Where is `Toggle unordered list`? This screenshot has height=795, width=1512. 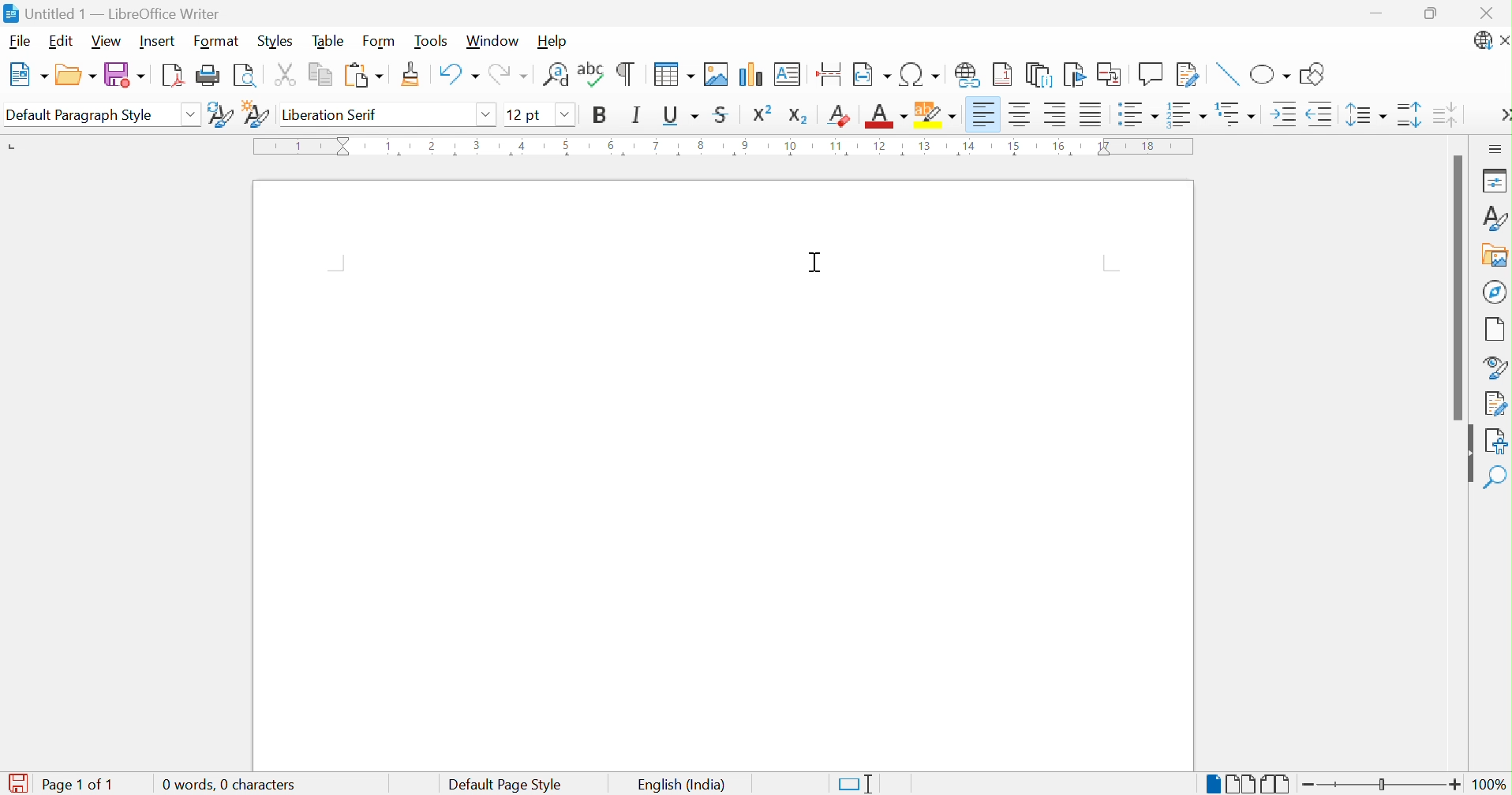
Toggle unordered list is located at coordinates (1139, 114).